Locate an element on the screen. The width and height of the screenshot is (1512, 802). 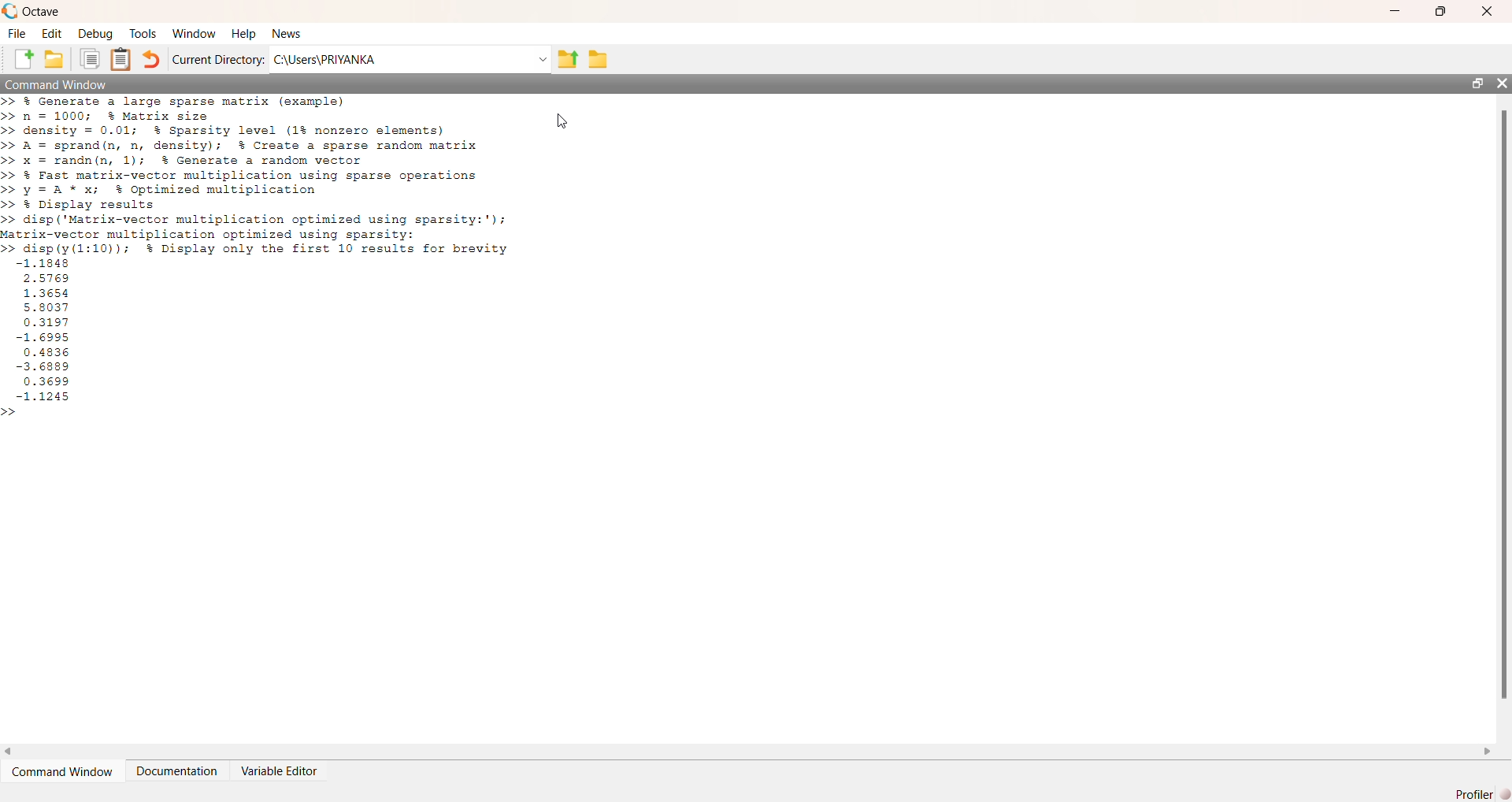
maximize is located at coordinates (1473, 82).